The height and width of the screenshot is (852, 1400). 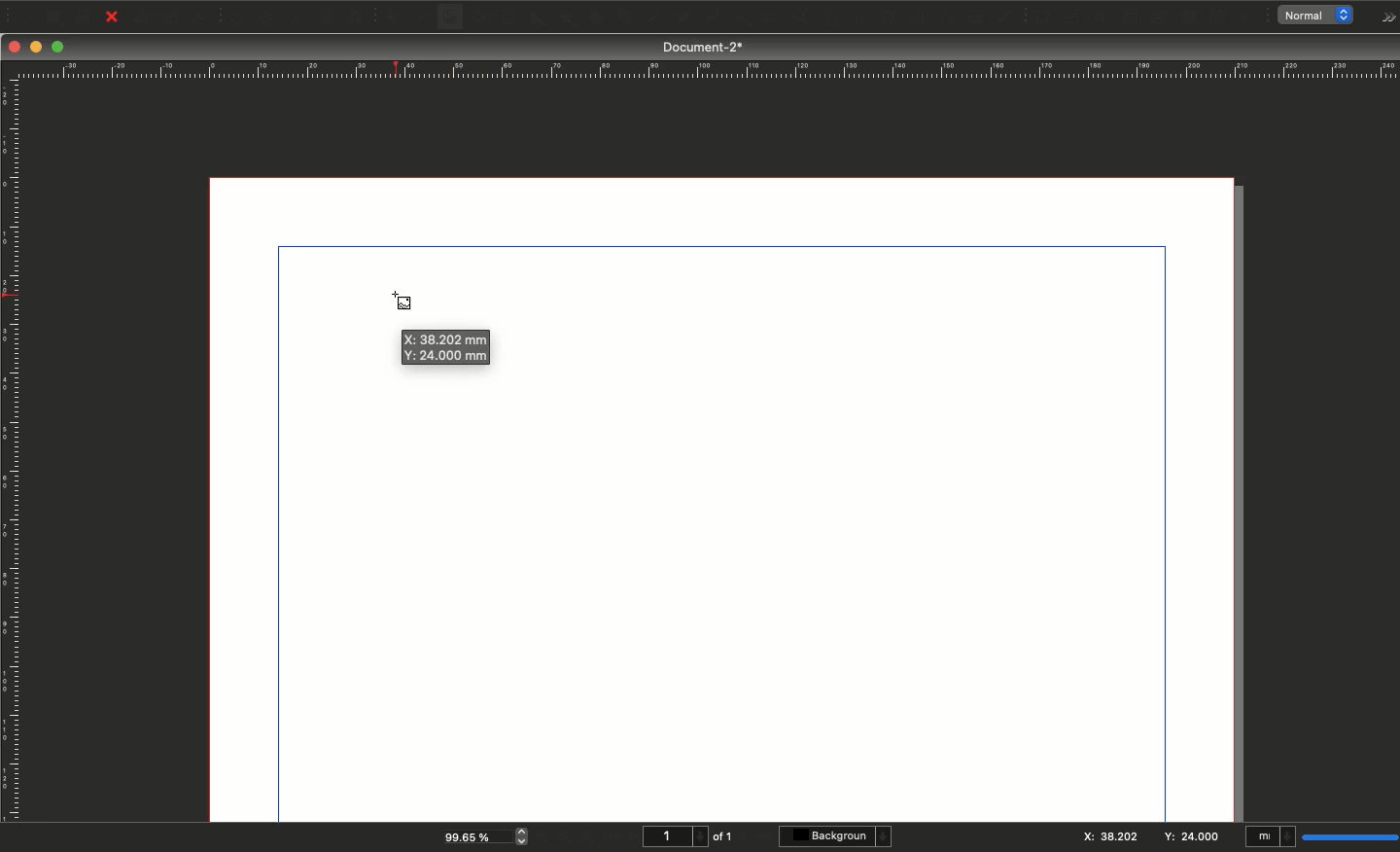 I want to click on Close, so click(x=15, y=47).